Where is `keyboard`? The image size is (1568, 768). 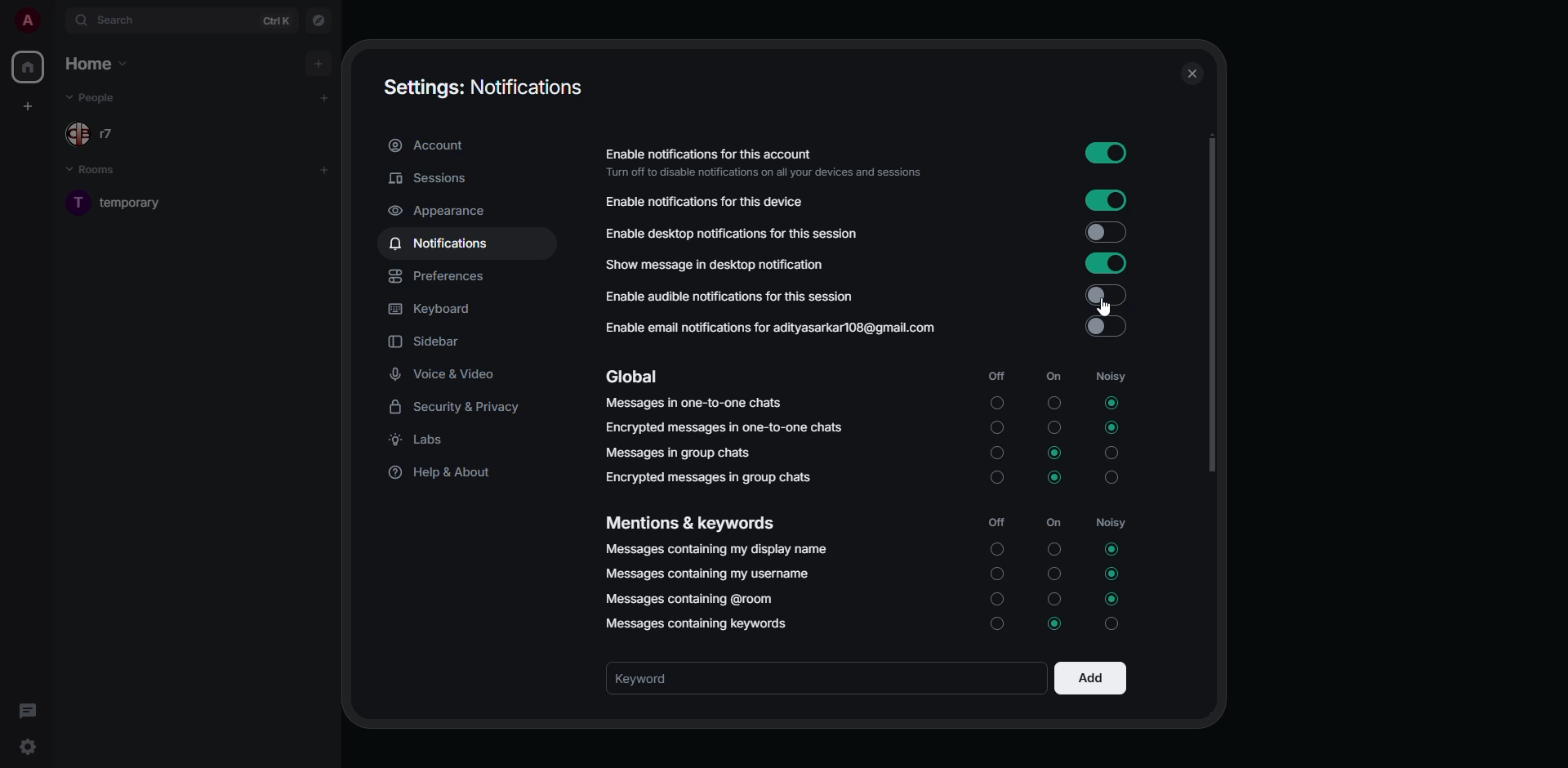
keyboard is located at coordinates (434, 310).